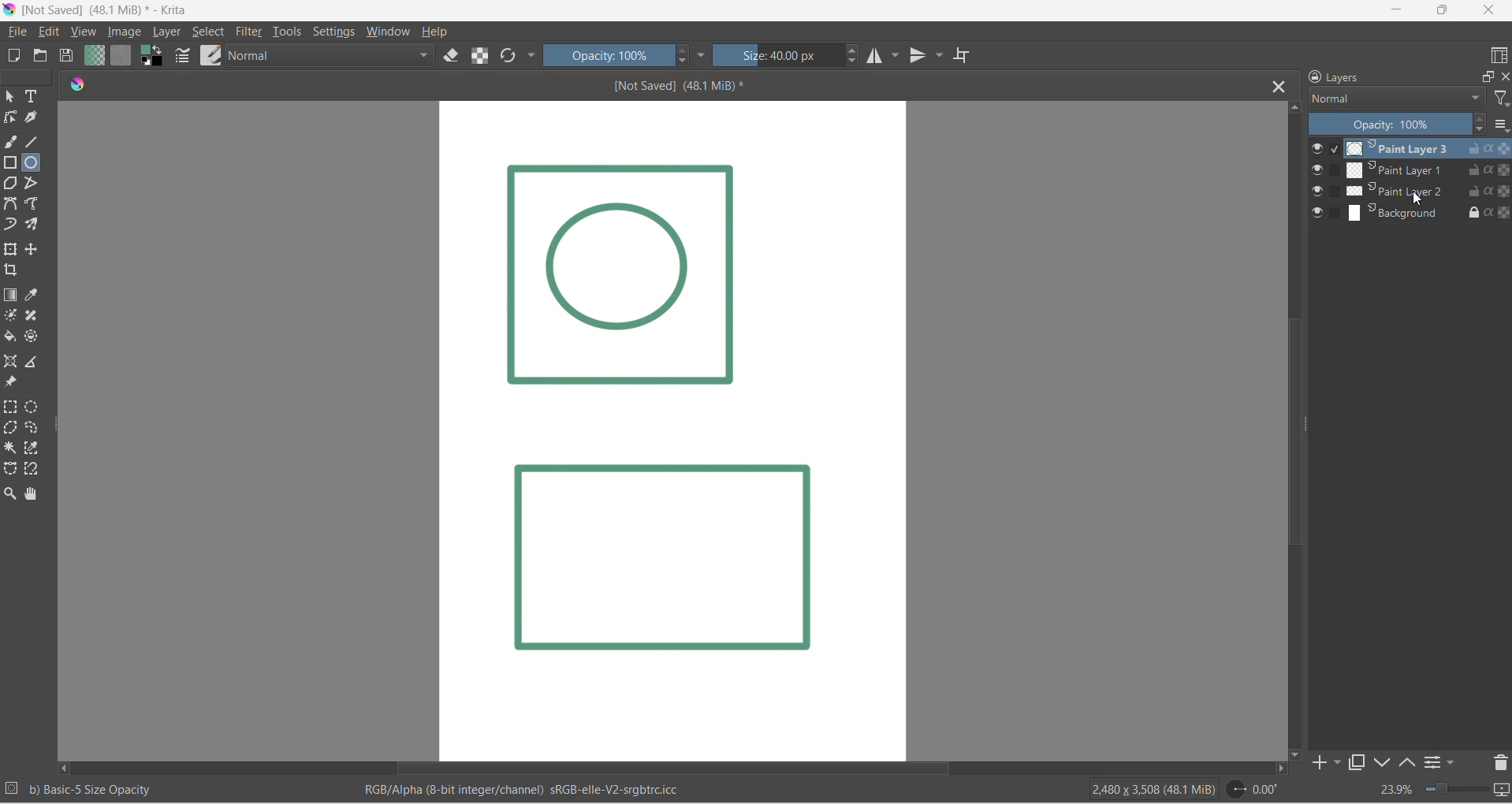  What do you see at coordinates (32, 406) in the screenshot?
I see `elliptical selection tool` at bounding box center [32, 406].